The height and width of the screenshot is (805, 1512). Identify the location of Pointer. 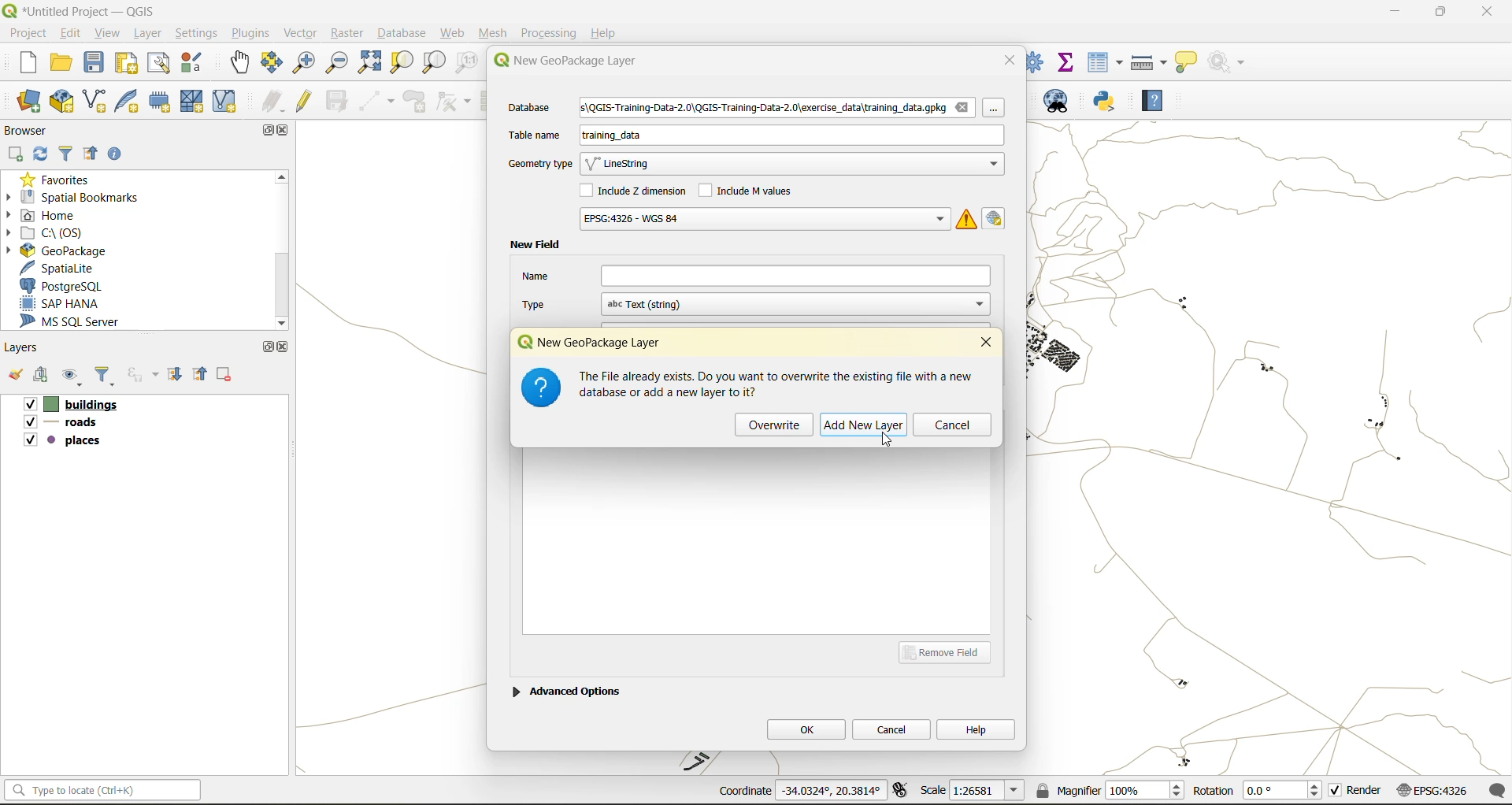
(894, 442).